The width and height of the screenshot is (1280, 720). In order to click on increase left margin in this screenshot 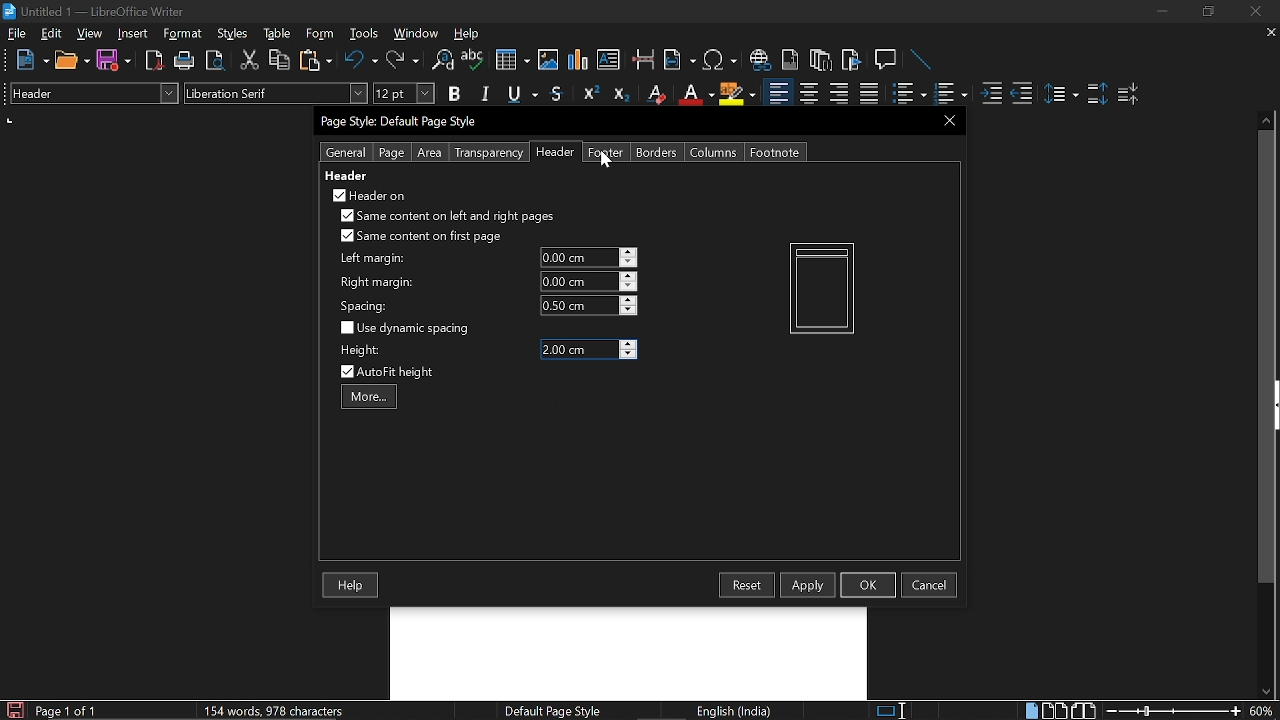, I will do `click(629, 252)`.